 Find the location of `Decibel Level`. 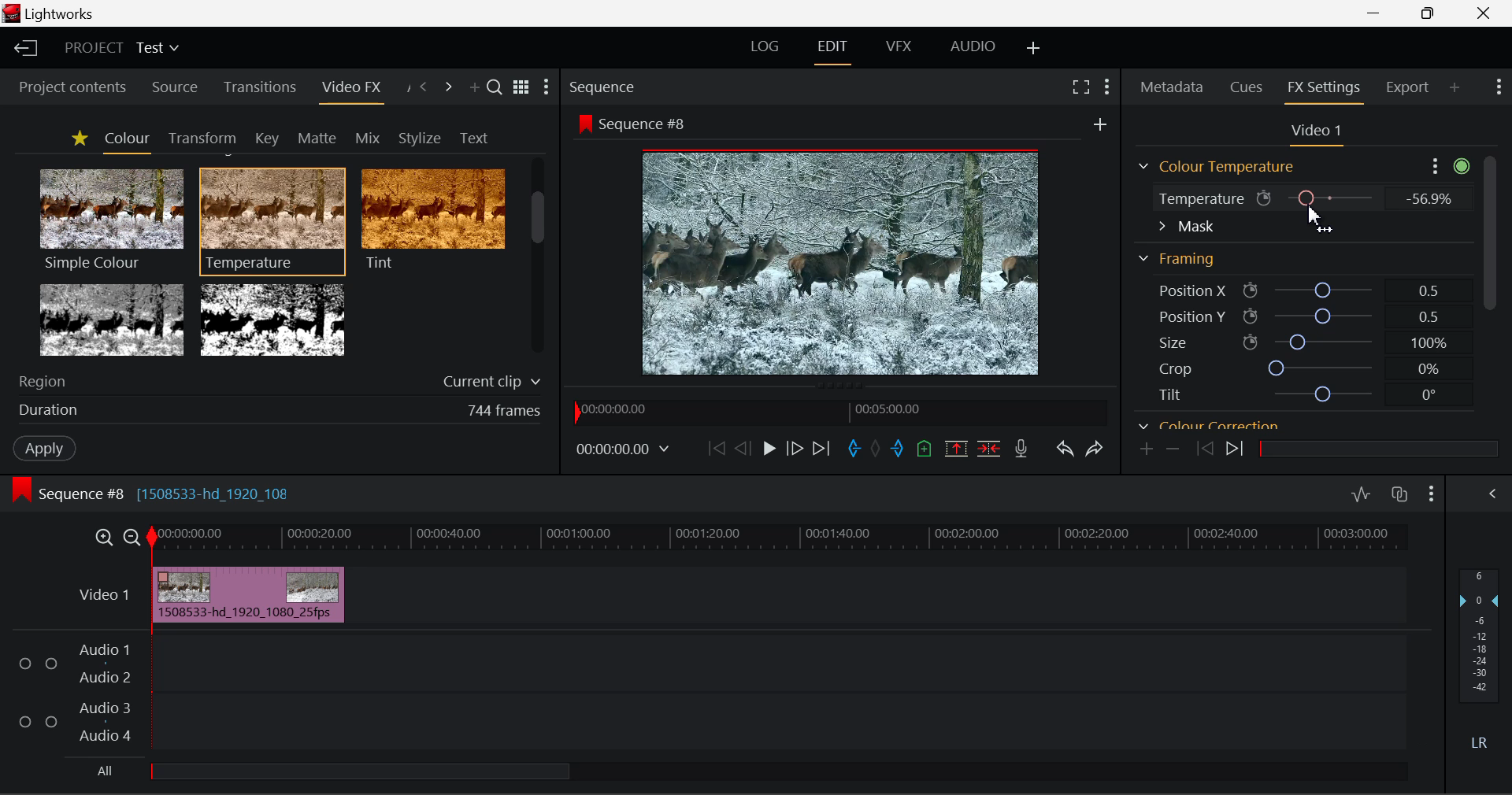

Decibel Level is located at coordinates (1480, 656).